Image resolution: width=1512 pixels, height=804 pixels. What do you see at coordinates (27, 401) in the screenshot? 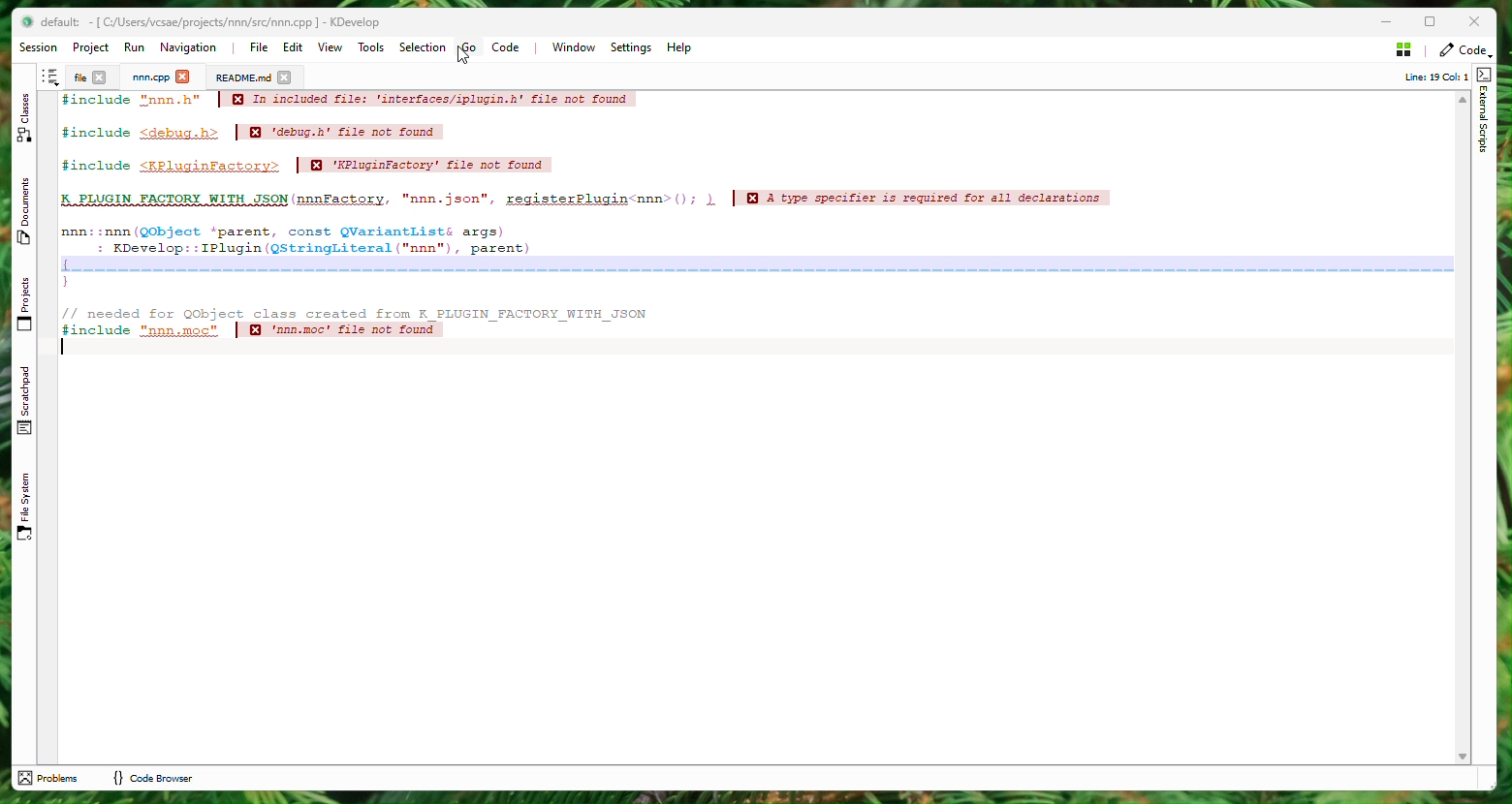
I see `Scratchpad` at bounding box center [27, 401].